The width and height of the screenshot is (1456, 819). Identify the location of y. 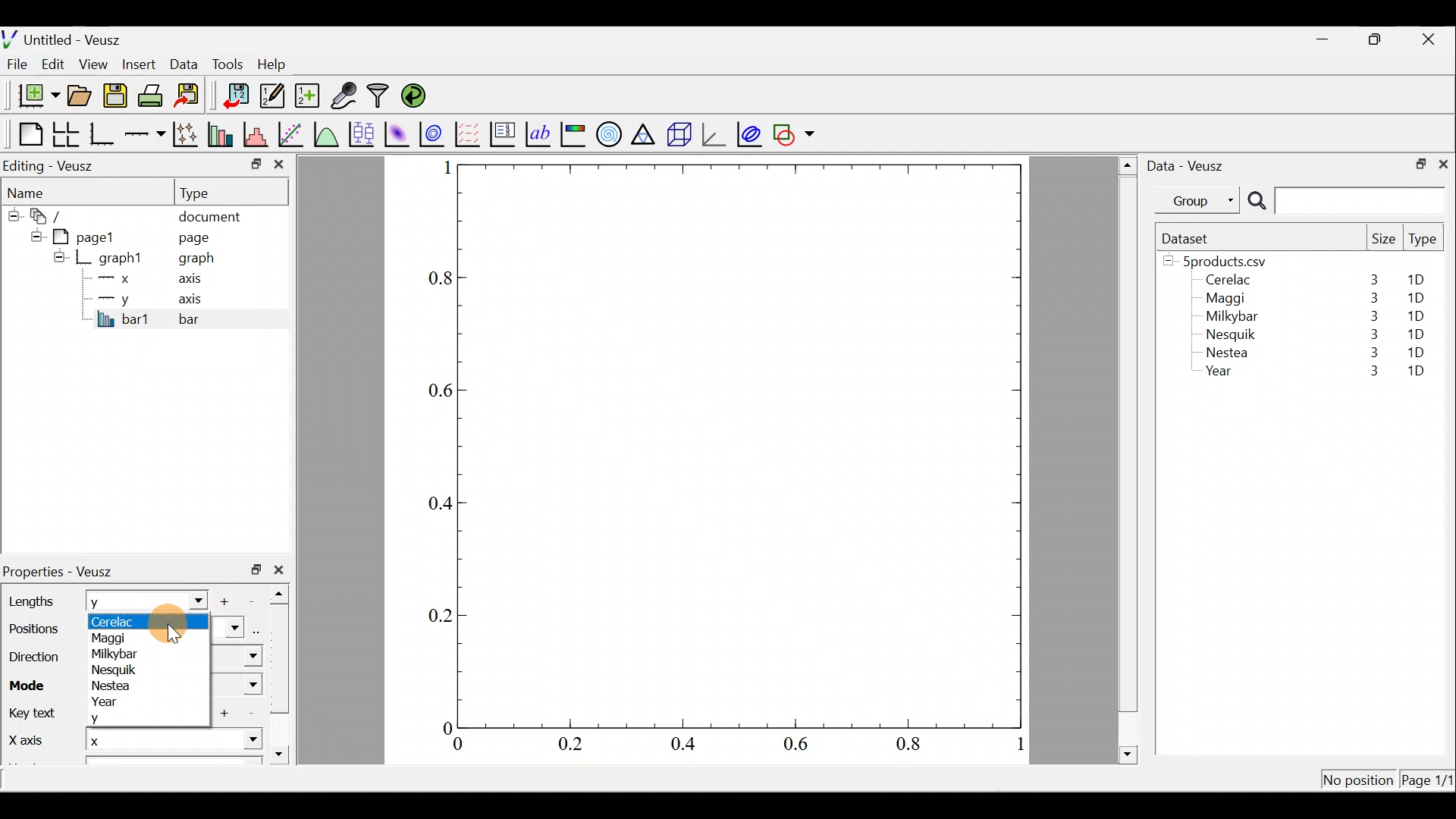
(114, 297).